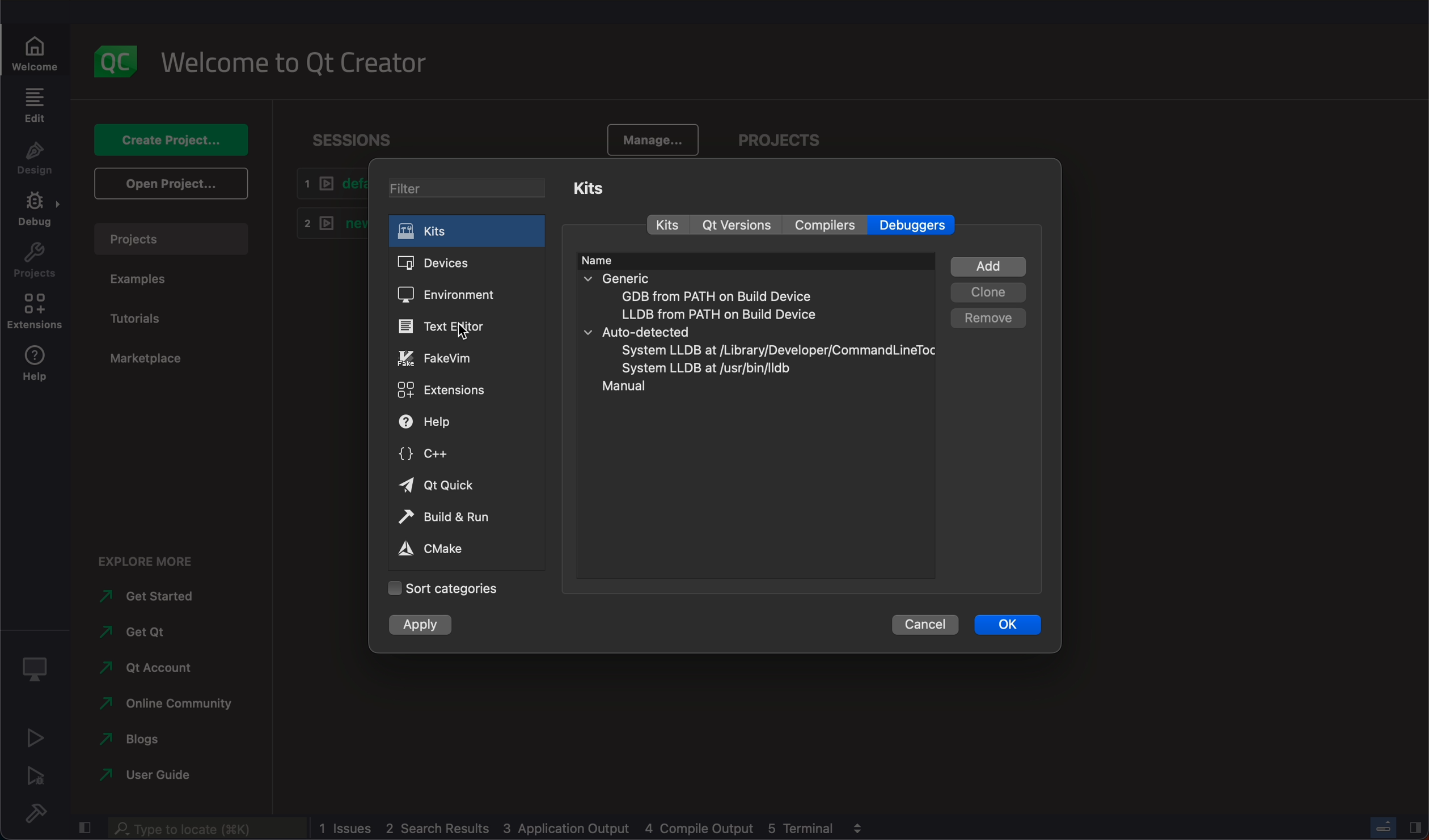 This screenshot has width=1429, height=840. What do you see at coordinates (463, 326) in the screenshot?
I see `text editor` at bounding box center [463, 326].